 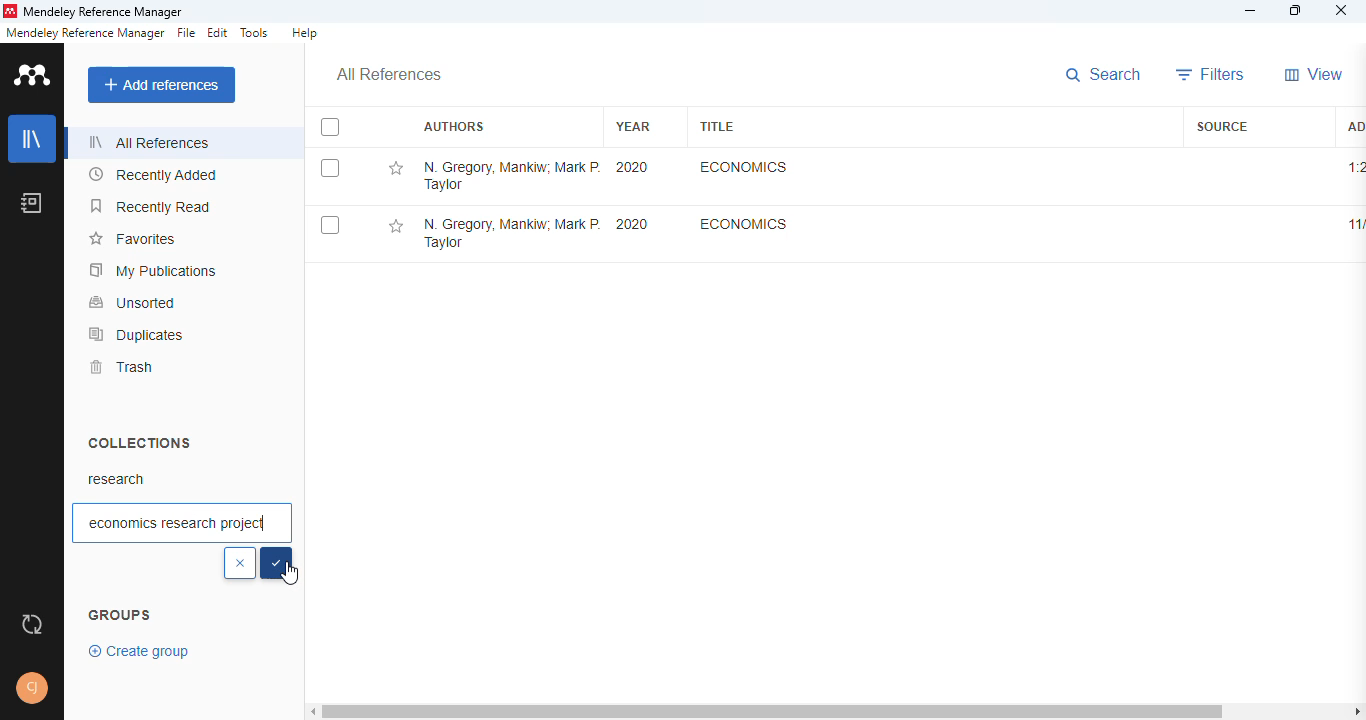 I want to click on horizontal scroll bar, so click(x=839, y=710).